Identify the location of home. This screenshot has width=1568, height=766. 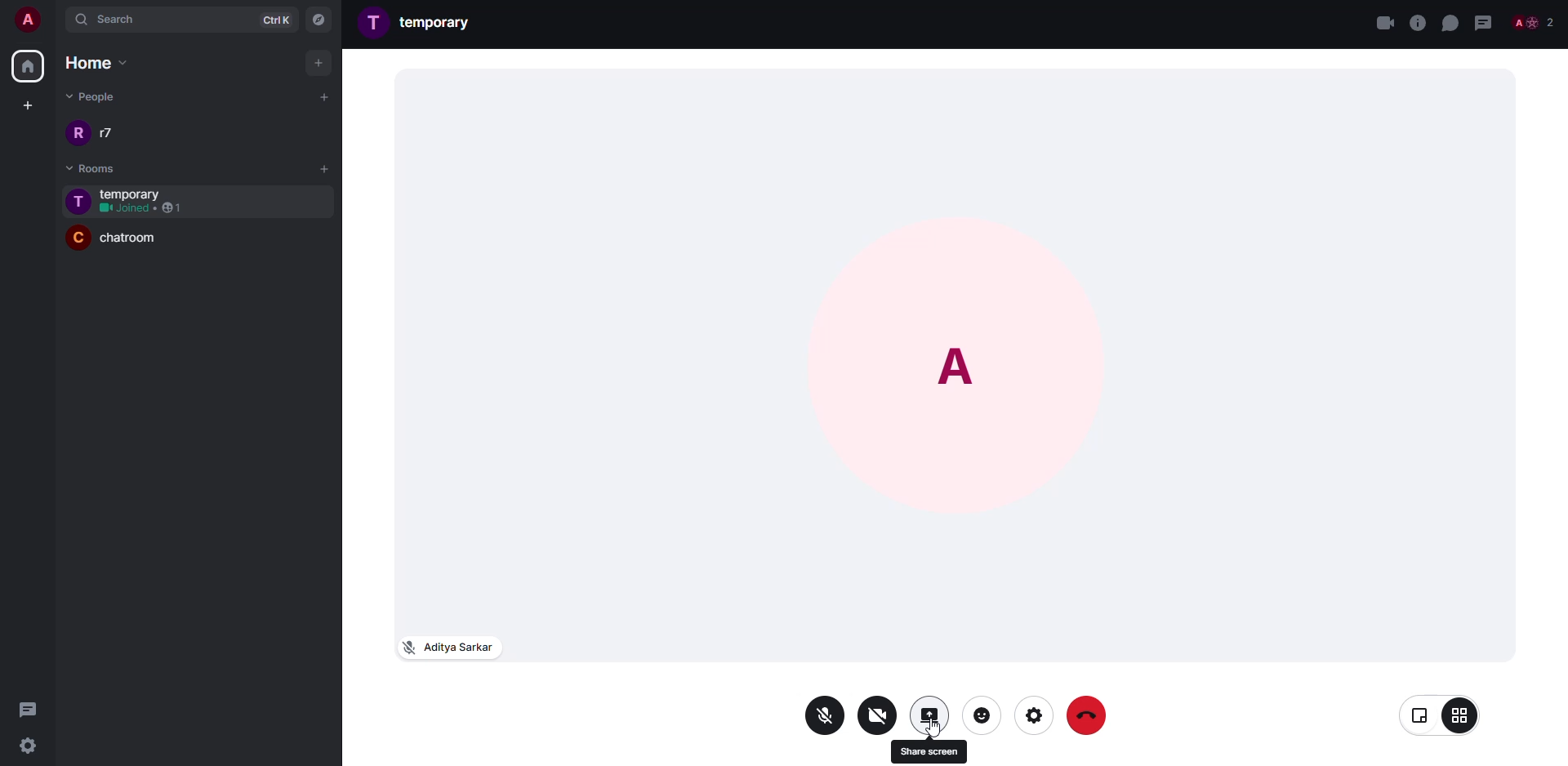
(91, 62).